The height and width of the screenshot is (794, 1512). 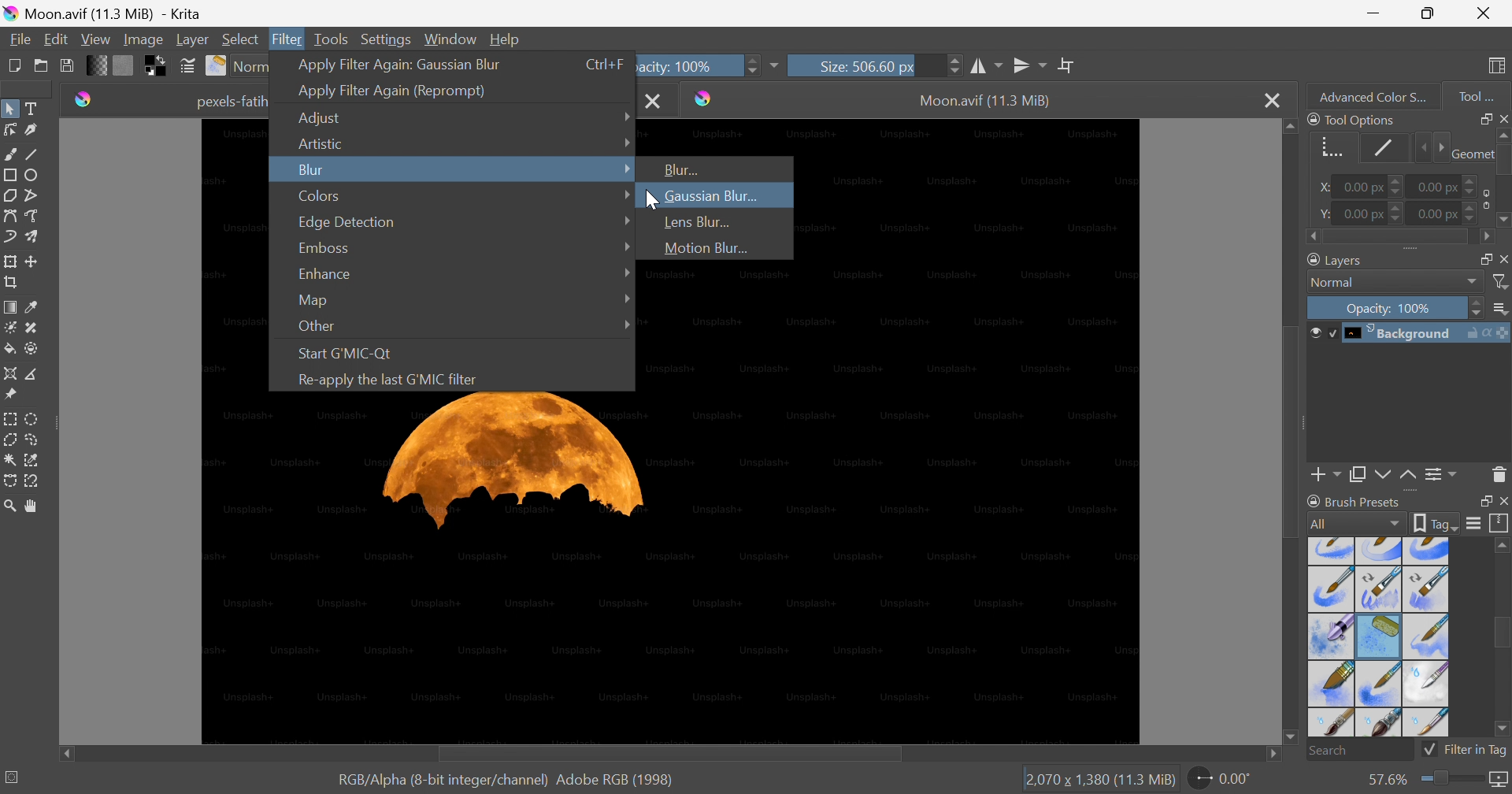 What do you see at coordinates (1359, 751) in the screenshot?
I see `Search` at bounding box center [1359, 751].